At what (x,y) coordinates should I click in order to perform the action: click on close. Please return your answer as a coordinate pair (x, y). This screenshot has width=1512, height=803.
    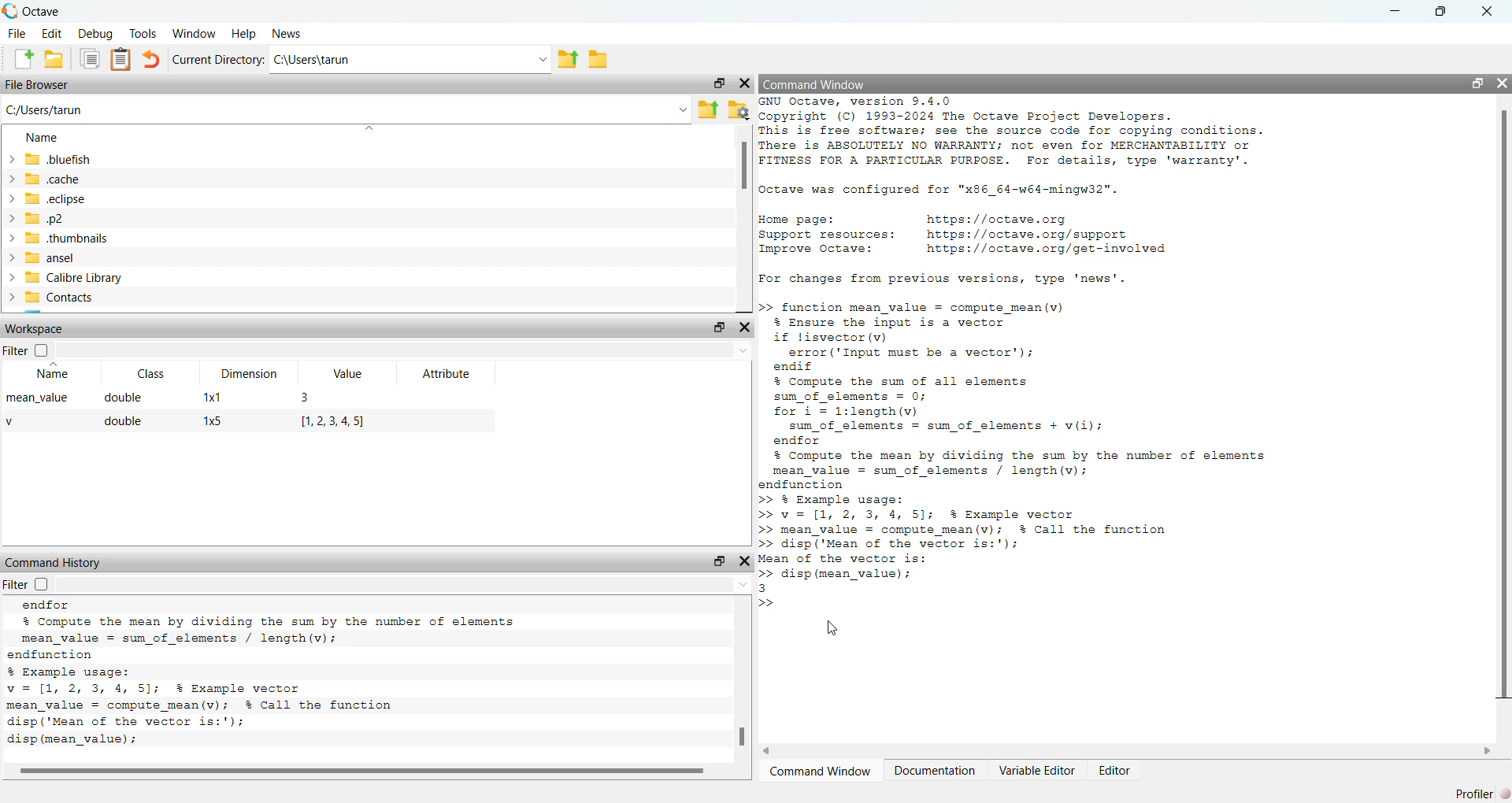
    Looking at the image, I should click on (745, 326).